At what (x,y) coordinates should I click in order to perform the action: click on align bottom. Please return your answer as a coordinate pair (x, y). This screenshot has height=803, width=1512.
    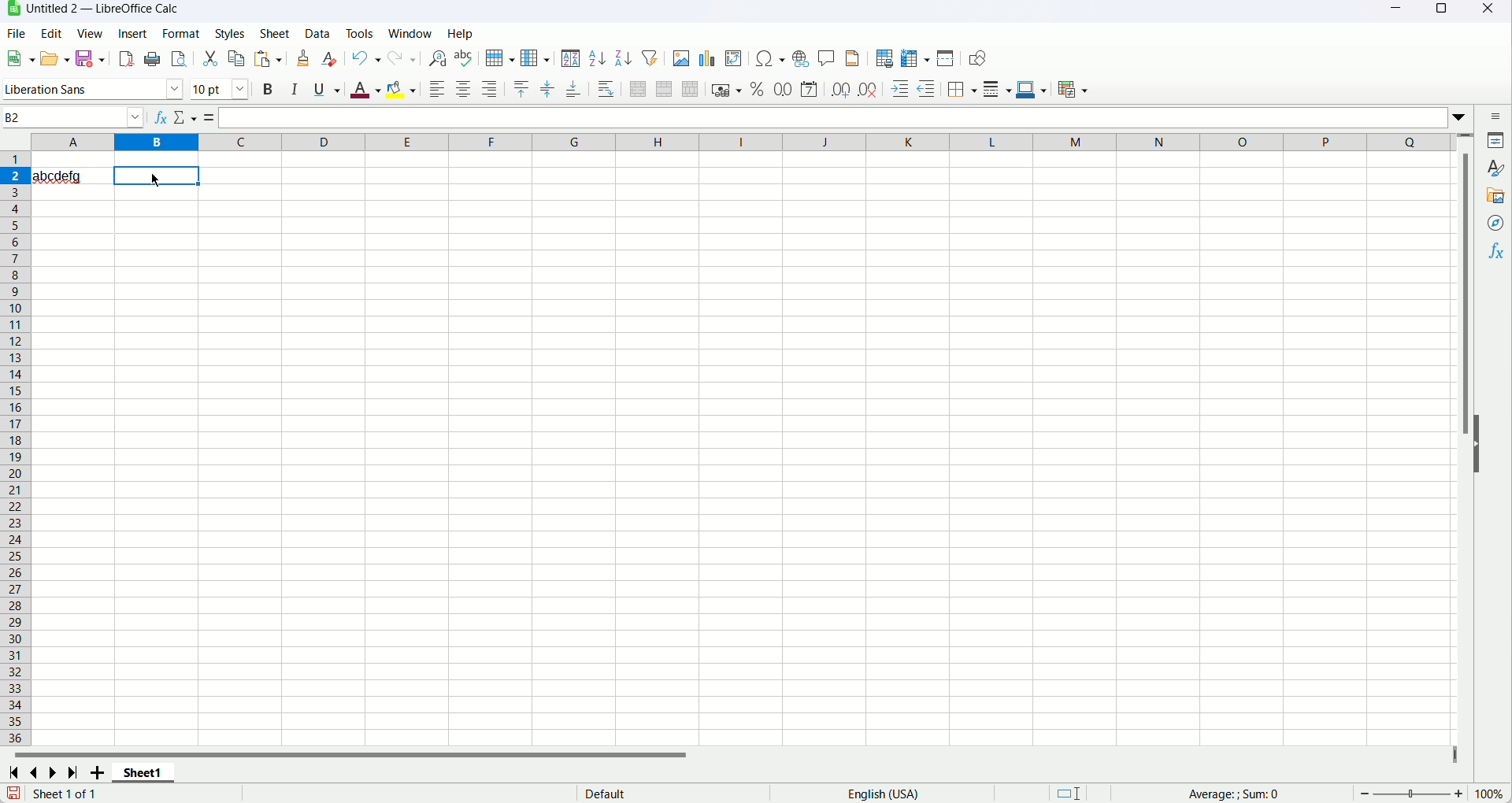
    Looking at the image, I should click on (573, 89).